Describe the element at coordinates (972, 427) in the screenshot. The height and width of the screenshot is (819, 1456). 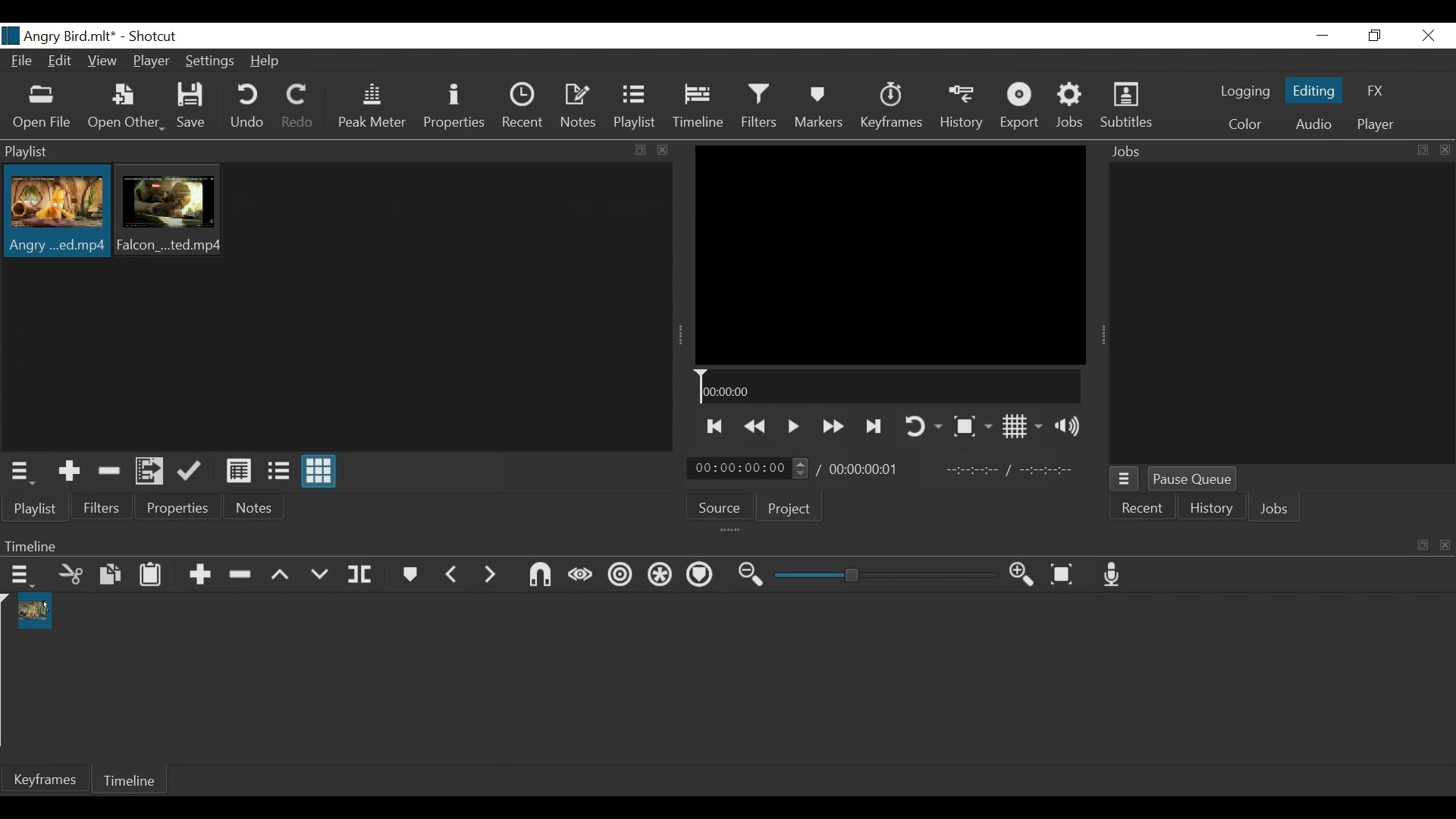
I see `Toggle Zoom` at that location.